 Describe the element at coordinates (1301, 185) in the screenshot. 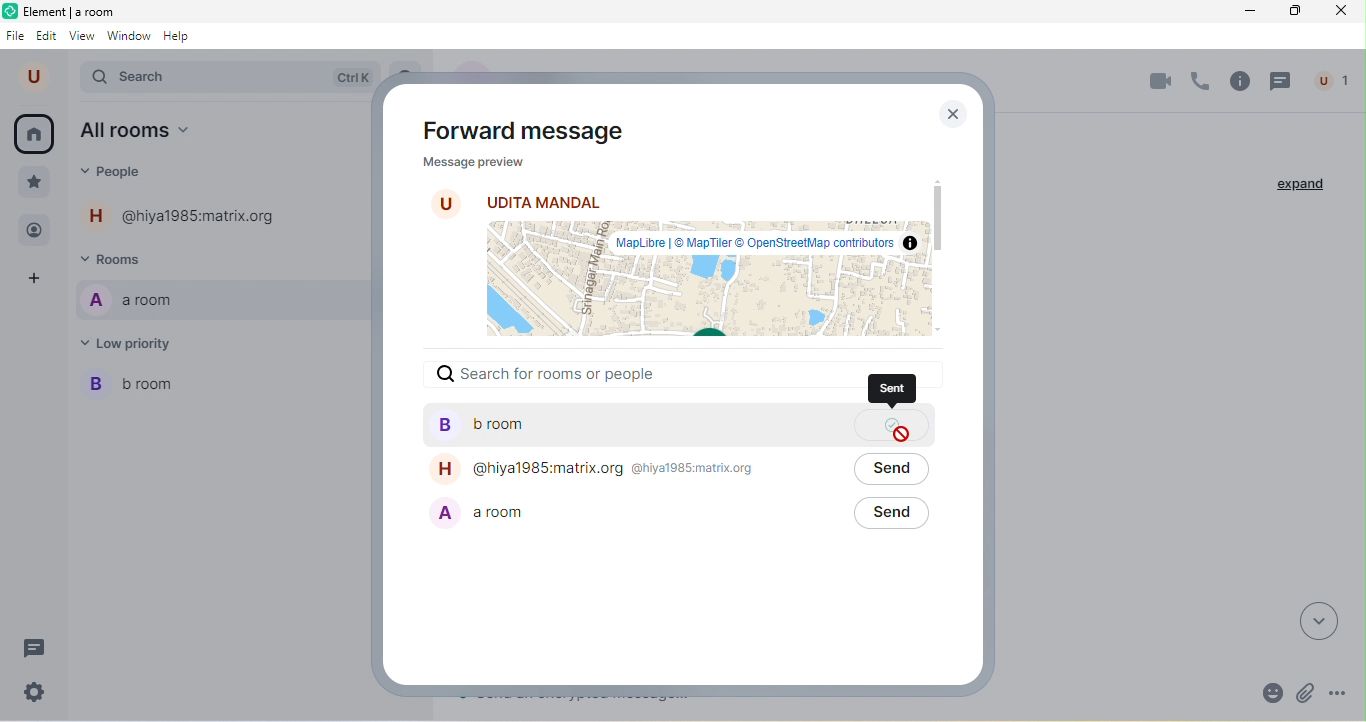

I see `expand` at that location.